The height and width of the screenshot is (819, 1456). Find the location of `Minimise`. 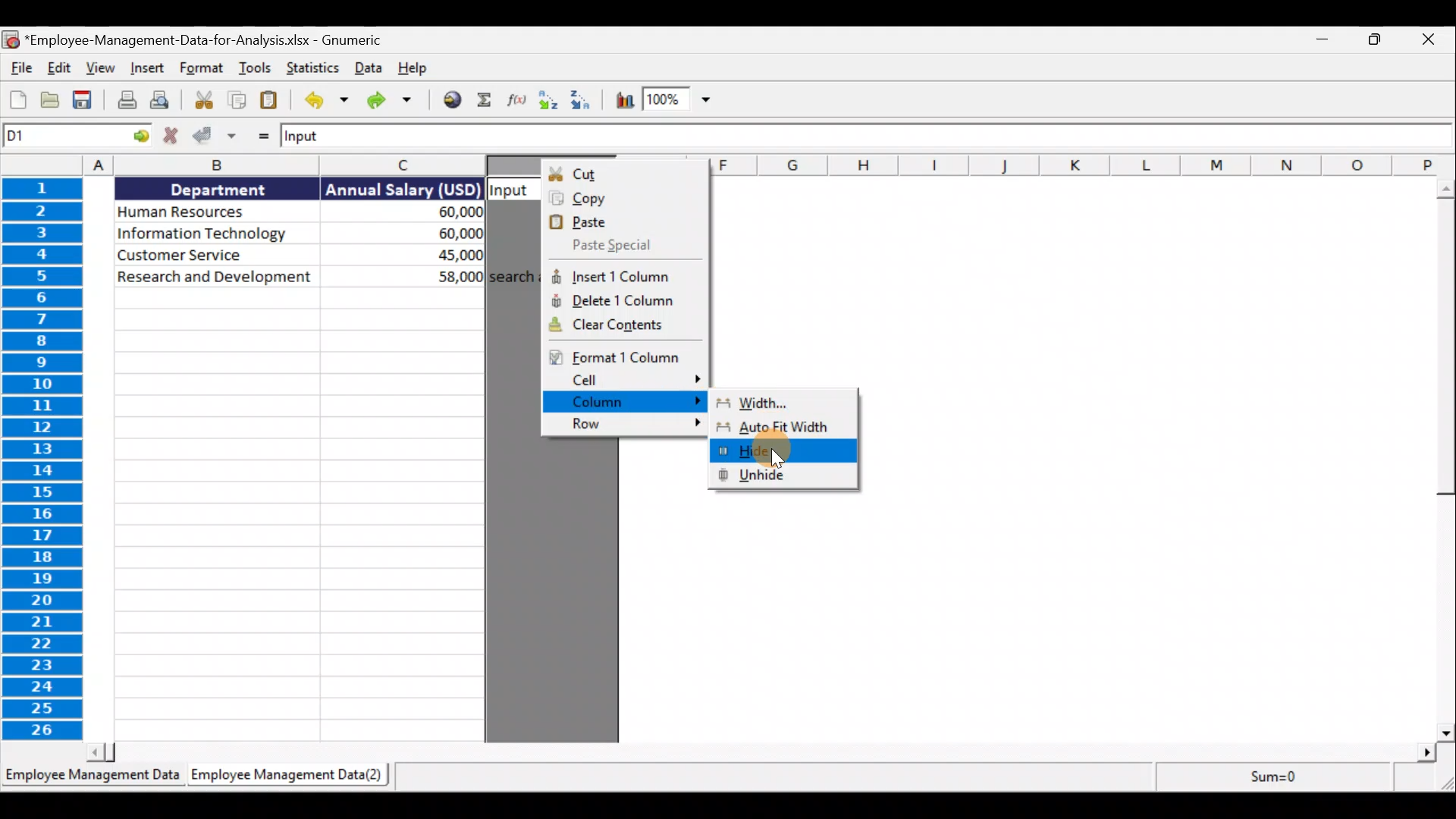

Minimise is located at coordinates (1321, 39).